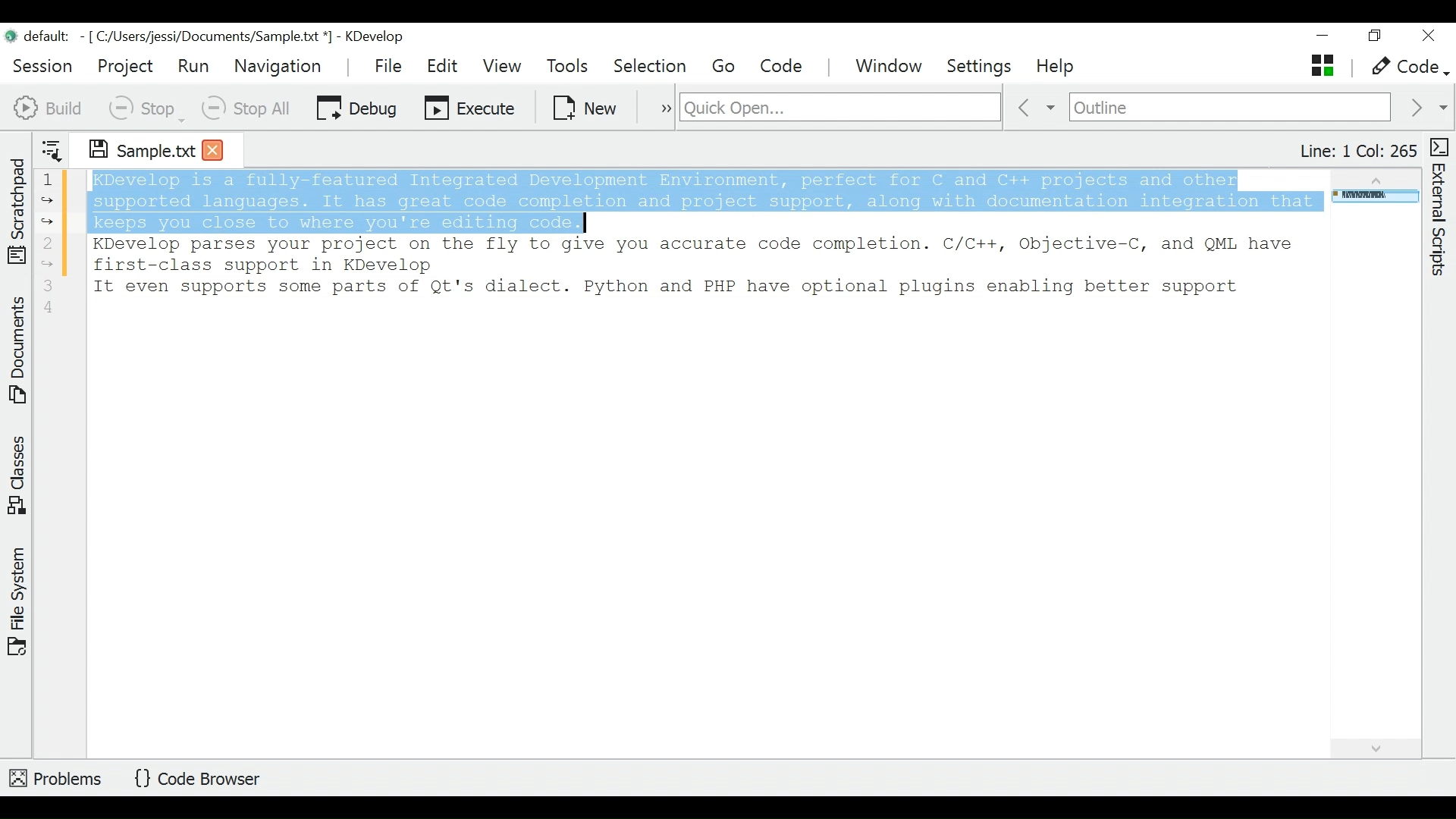 Image resolution: width=1456 pixels, height=819 pixels. I want to click on Execute, so click(471, 106).